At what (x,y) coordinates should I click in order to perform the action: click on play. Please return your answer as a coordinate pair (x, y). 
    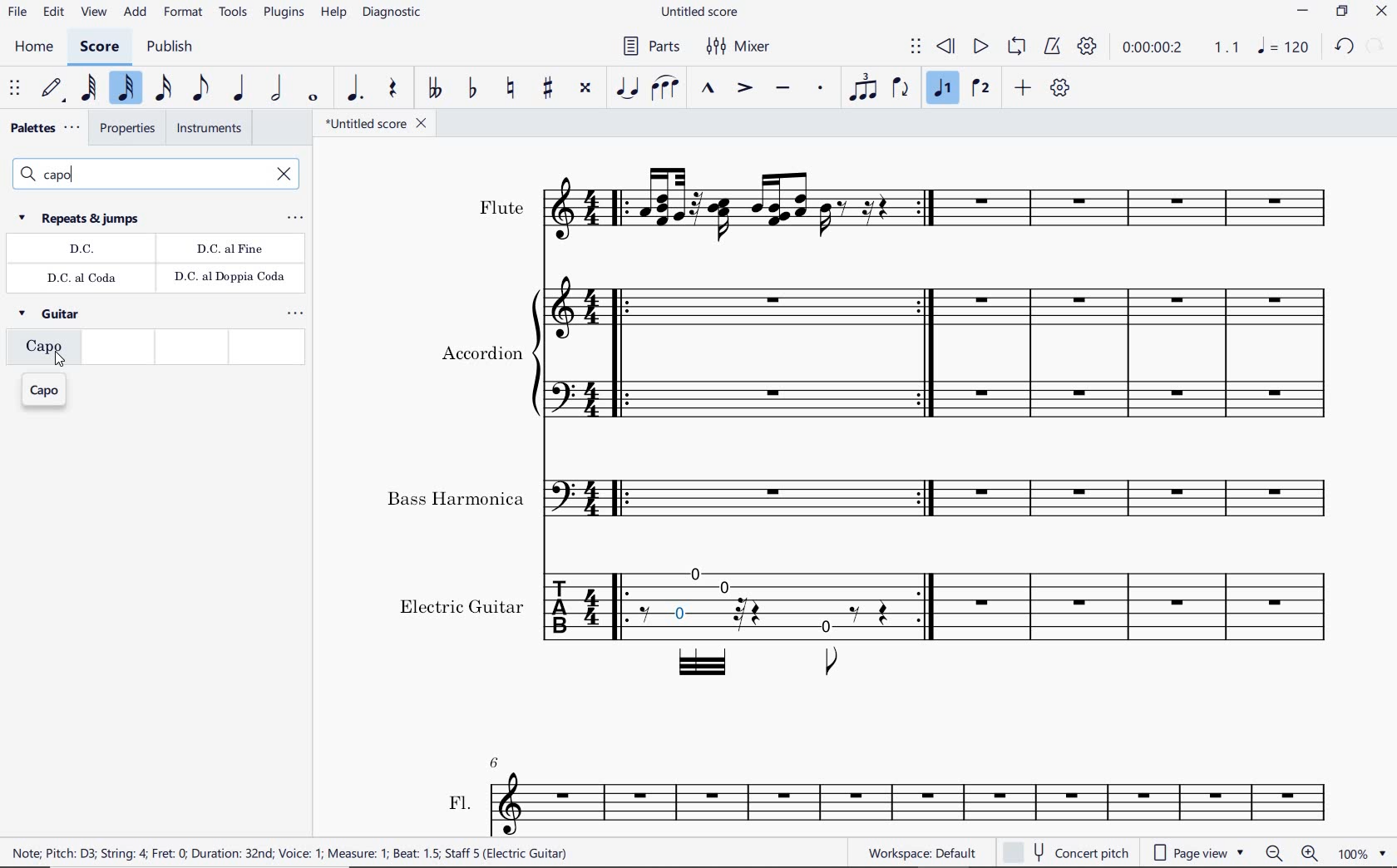
    Looking at the image, I should click on (979, 47).